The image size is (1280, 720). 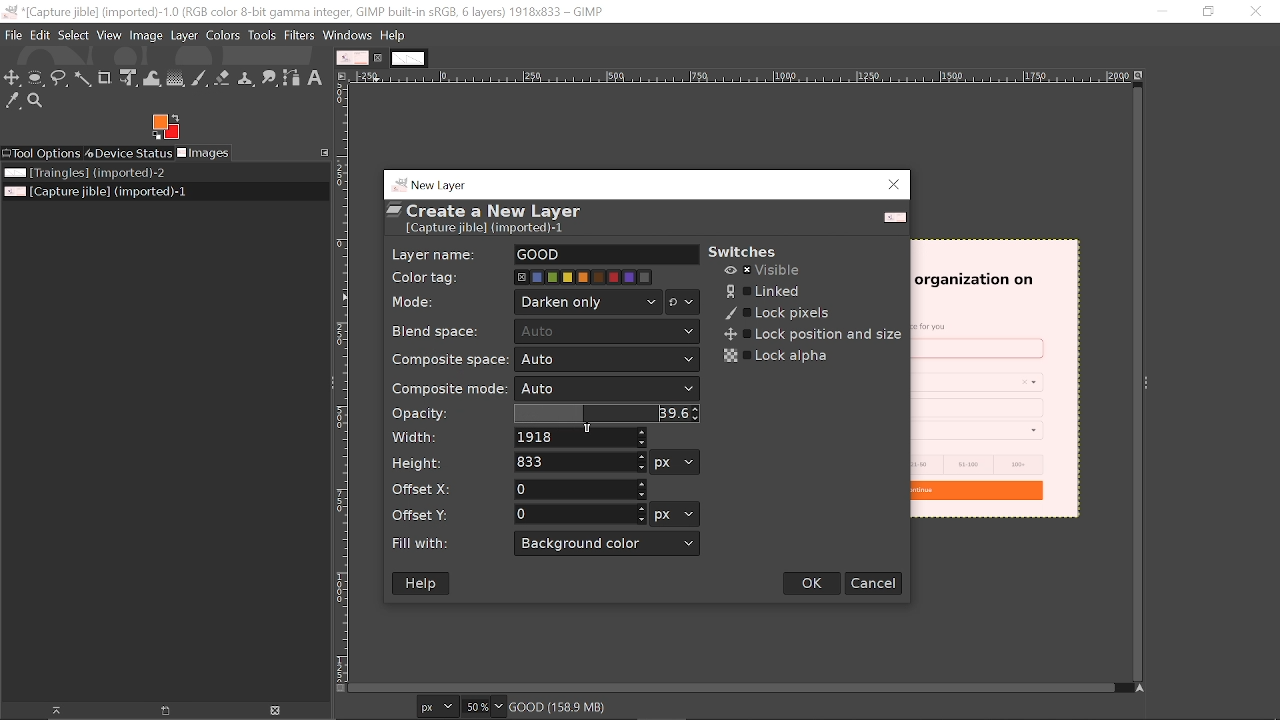 What do you see at coordinates (580, 462) in the screenshot?
I see `Height` at bounding box center [580, 462].